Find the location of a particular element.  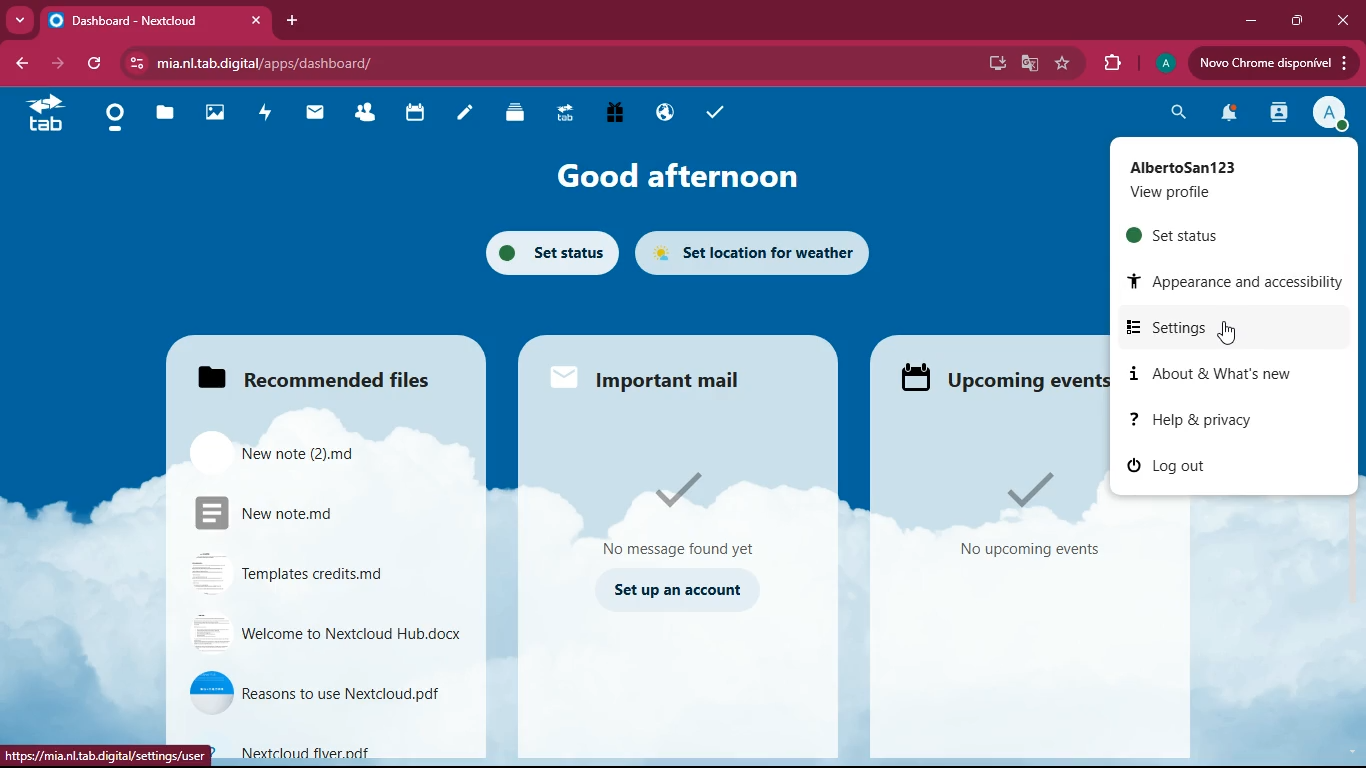

appearance is located at coordinates (1228, 283).